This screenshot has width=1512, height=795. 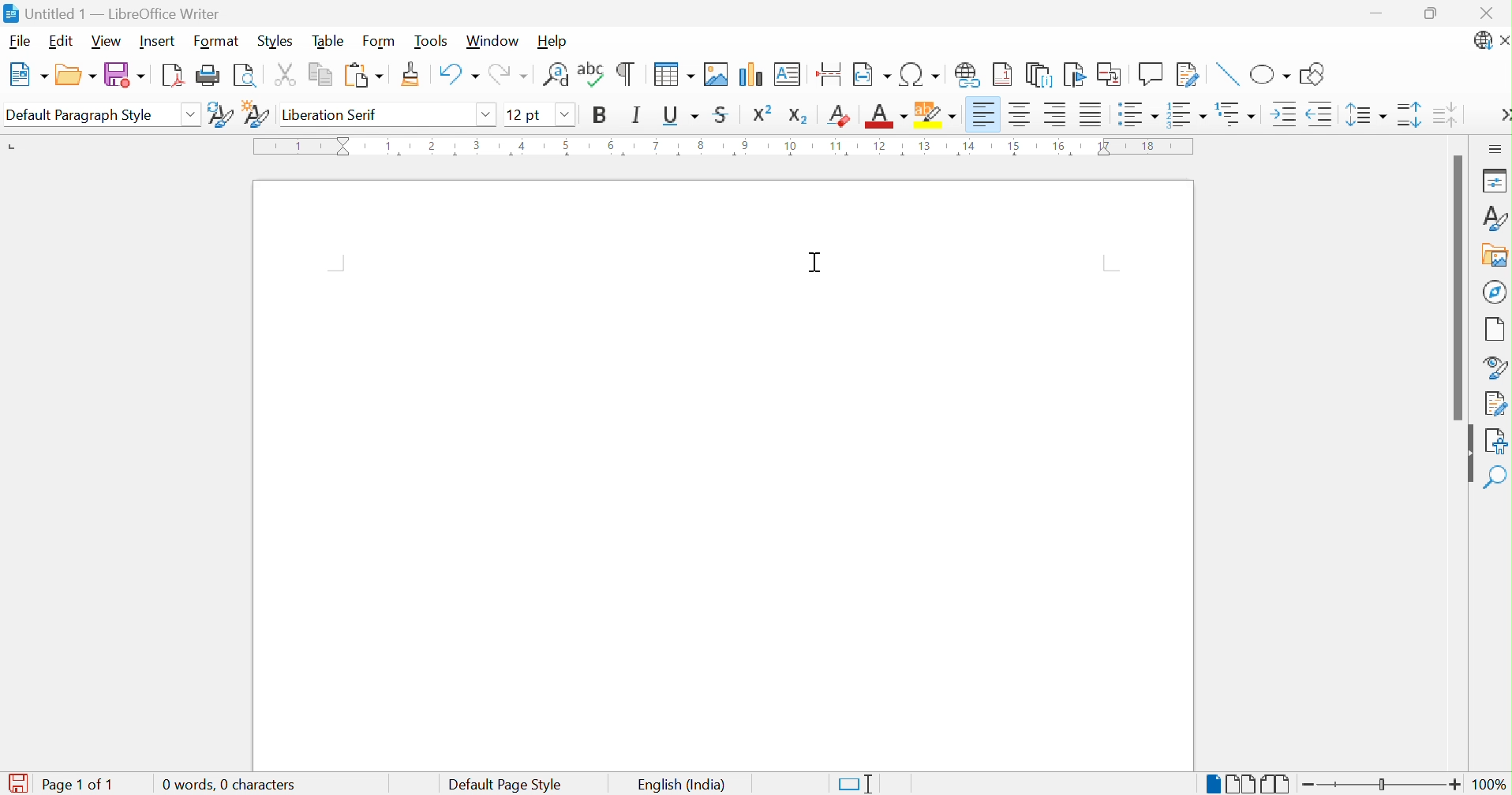 What do you see at coordinates (635, 115) in the screenshot?
I see `Italic` at bounding box center [635, 115].